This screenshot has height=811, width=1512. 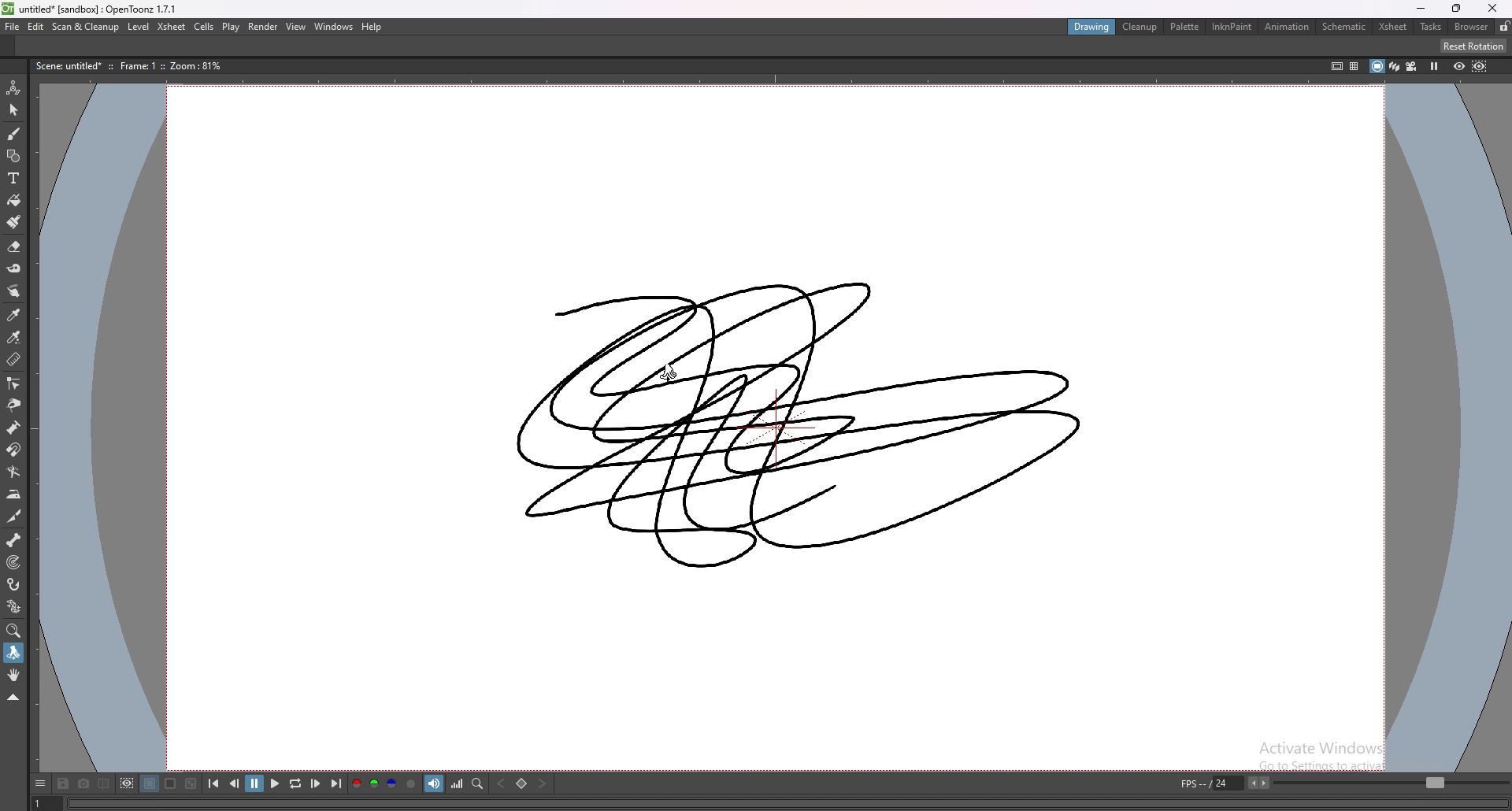 What do you see at coordinates (85, 27) in the screenshot?
I see `scan and cleanup` at bounding box center [85, 27].